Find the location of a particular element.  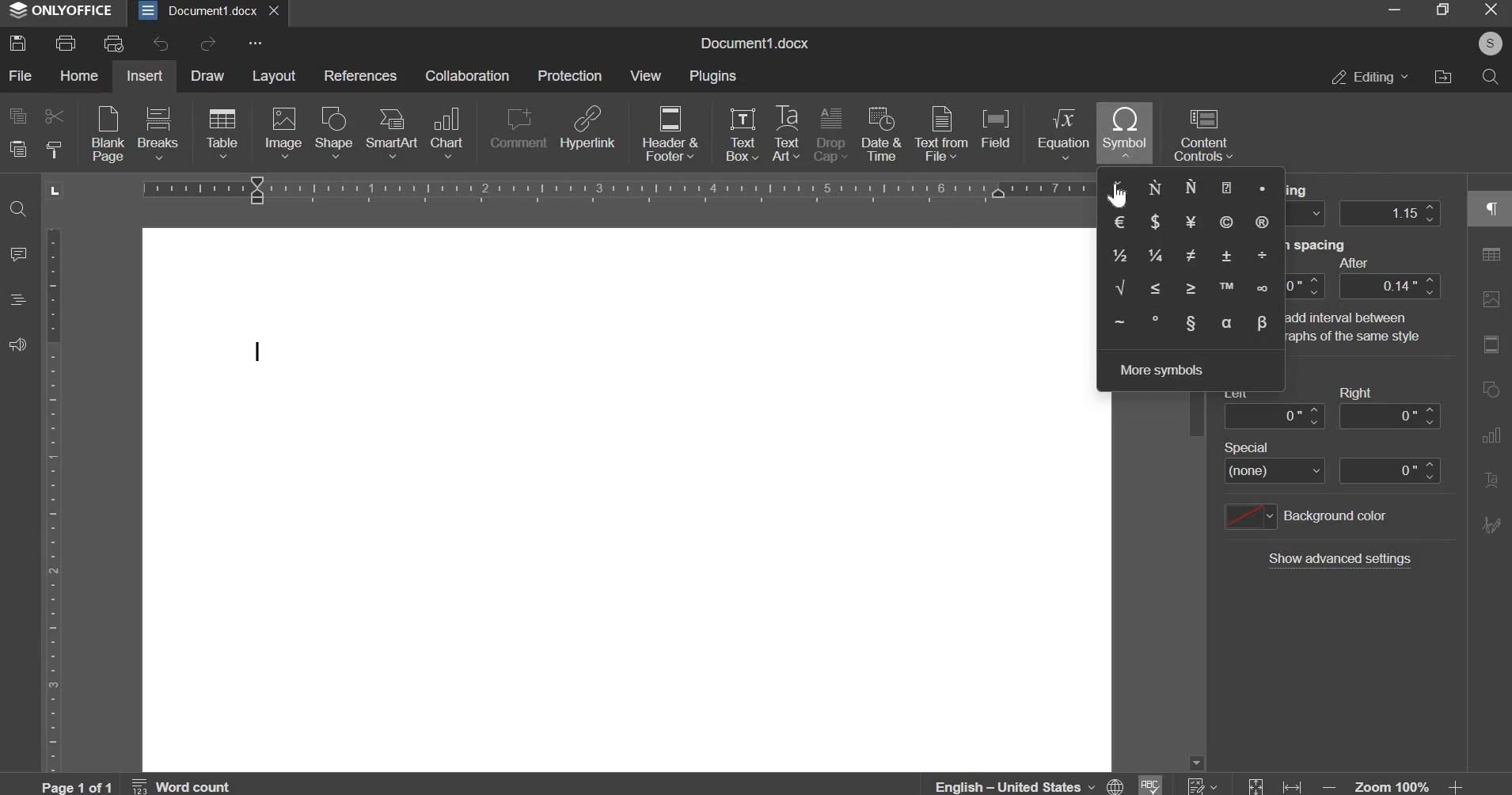

text from file is located at coordinates (944, 132).